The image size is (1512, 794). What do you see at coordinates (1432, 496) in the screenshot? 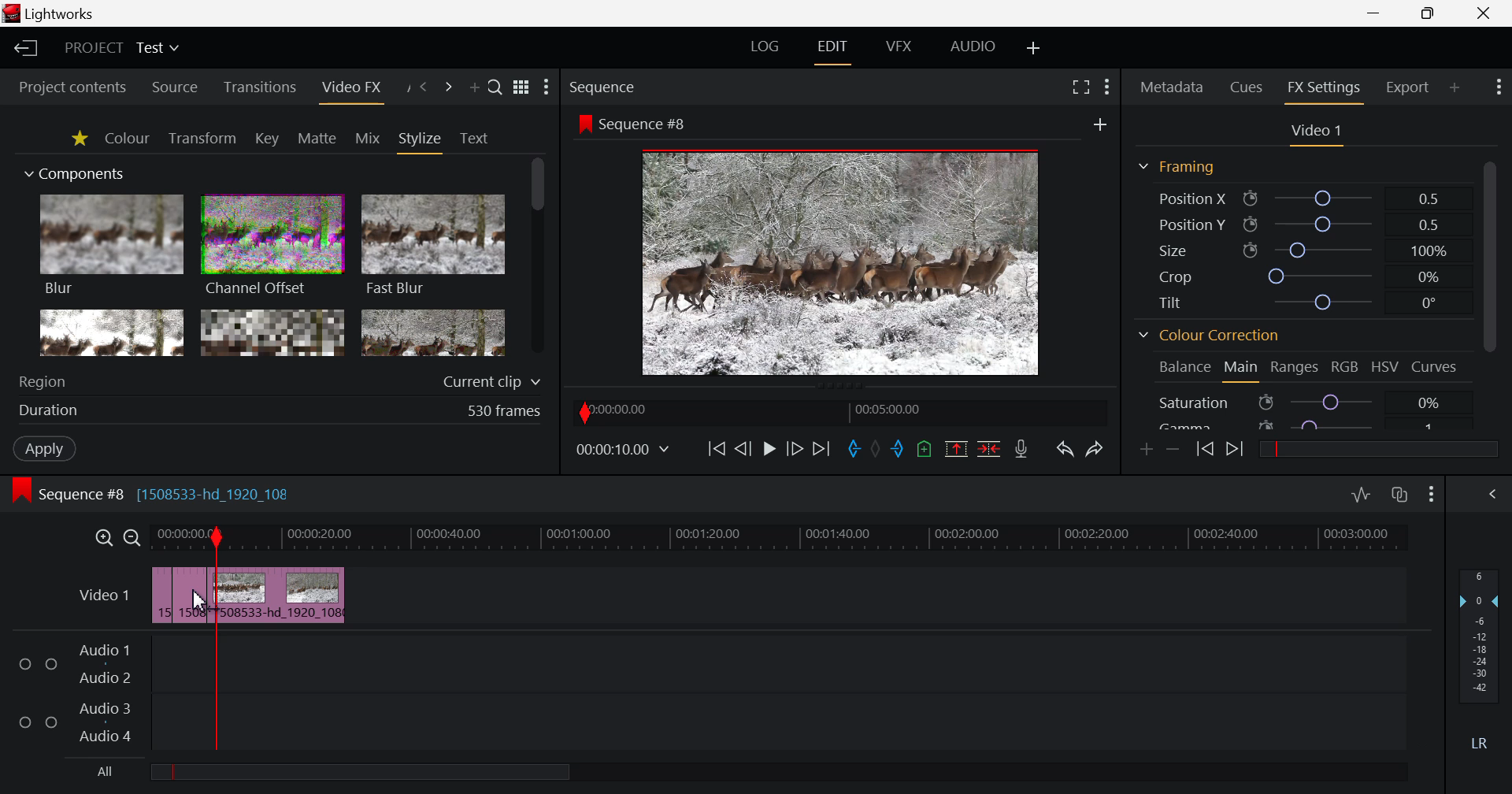
I see `Show Settings` at bounding box center [1432, 496].